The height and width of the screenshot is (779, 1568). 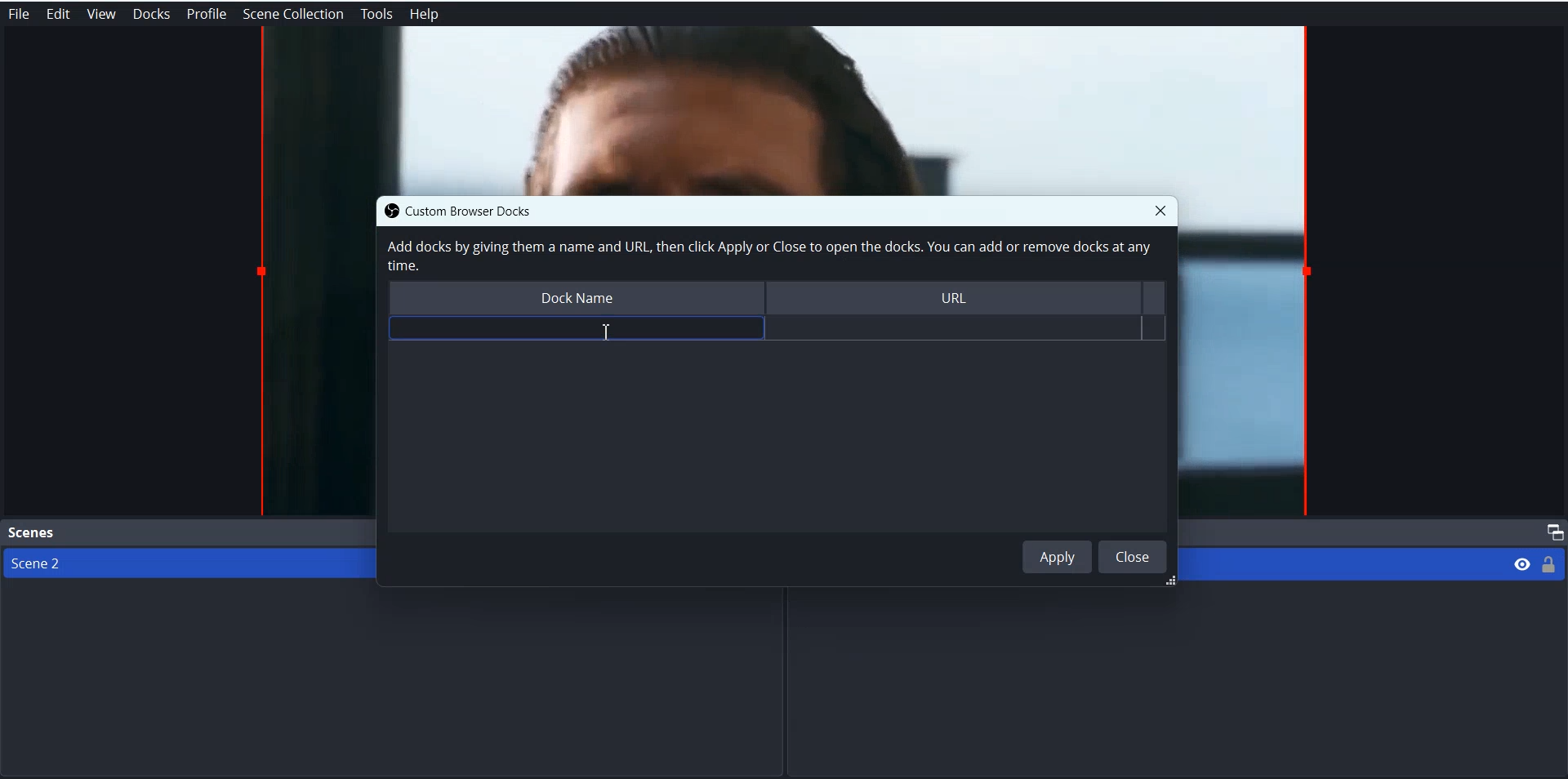 I want to click on Help, so click(x=425, y=15).